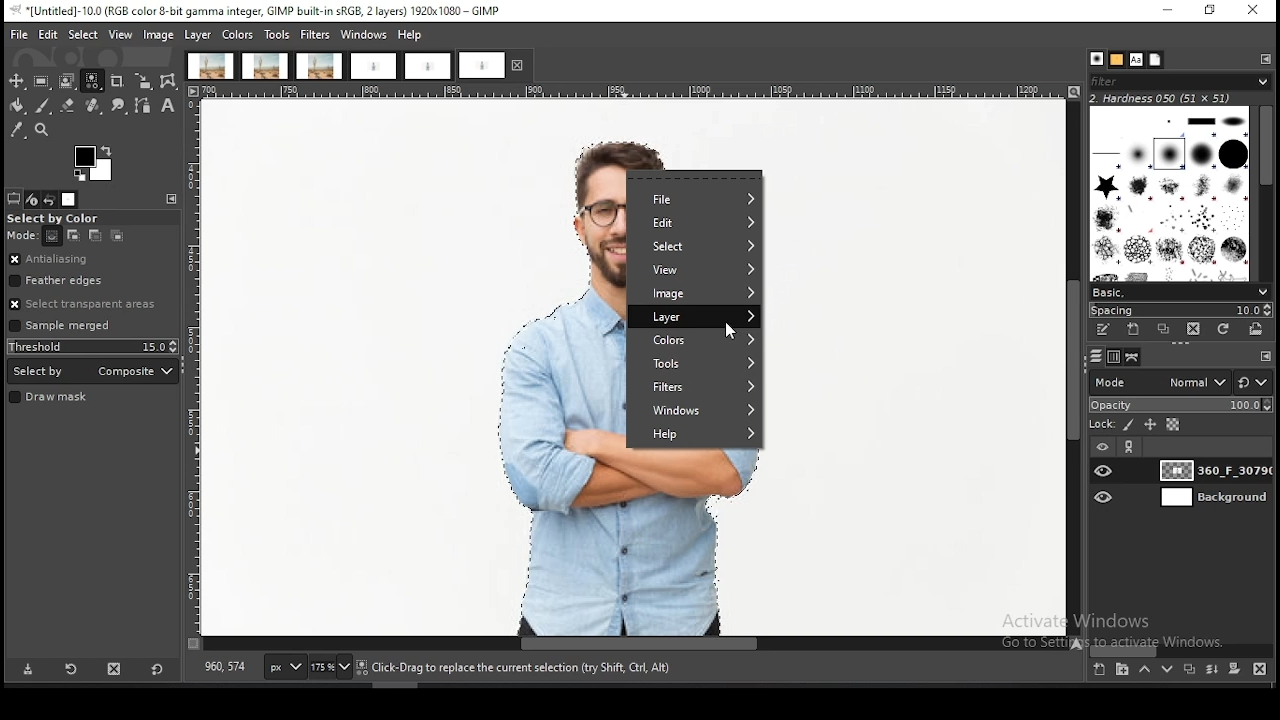 This screenshot has height=720, width=1280. I want to click on configure this tab, so click(175, 201).